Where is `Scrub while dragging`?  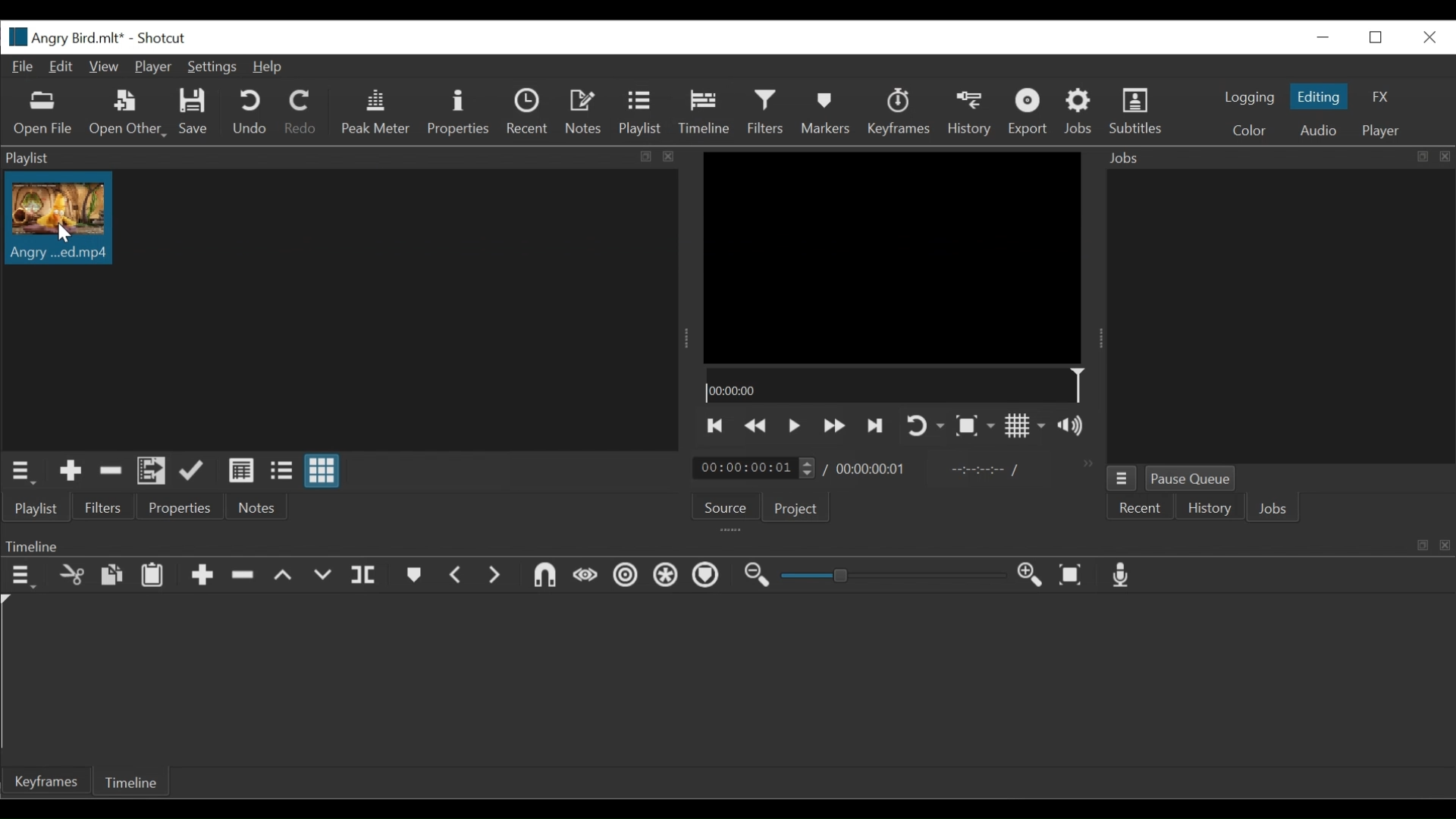
Scrub while dragging is located at coordinates (586, 576).